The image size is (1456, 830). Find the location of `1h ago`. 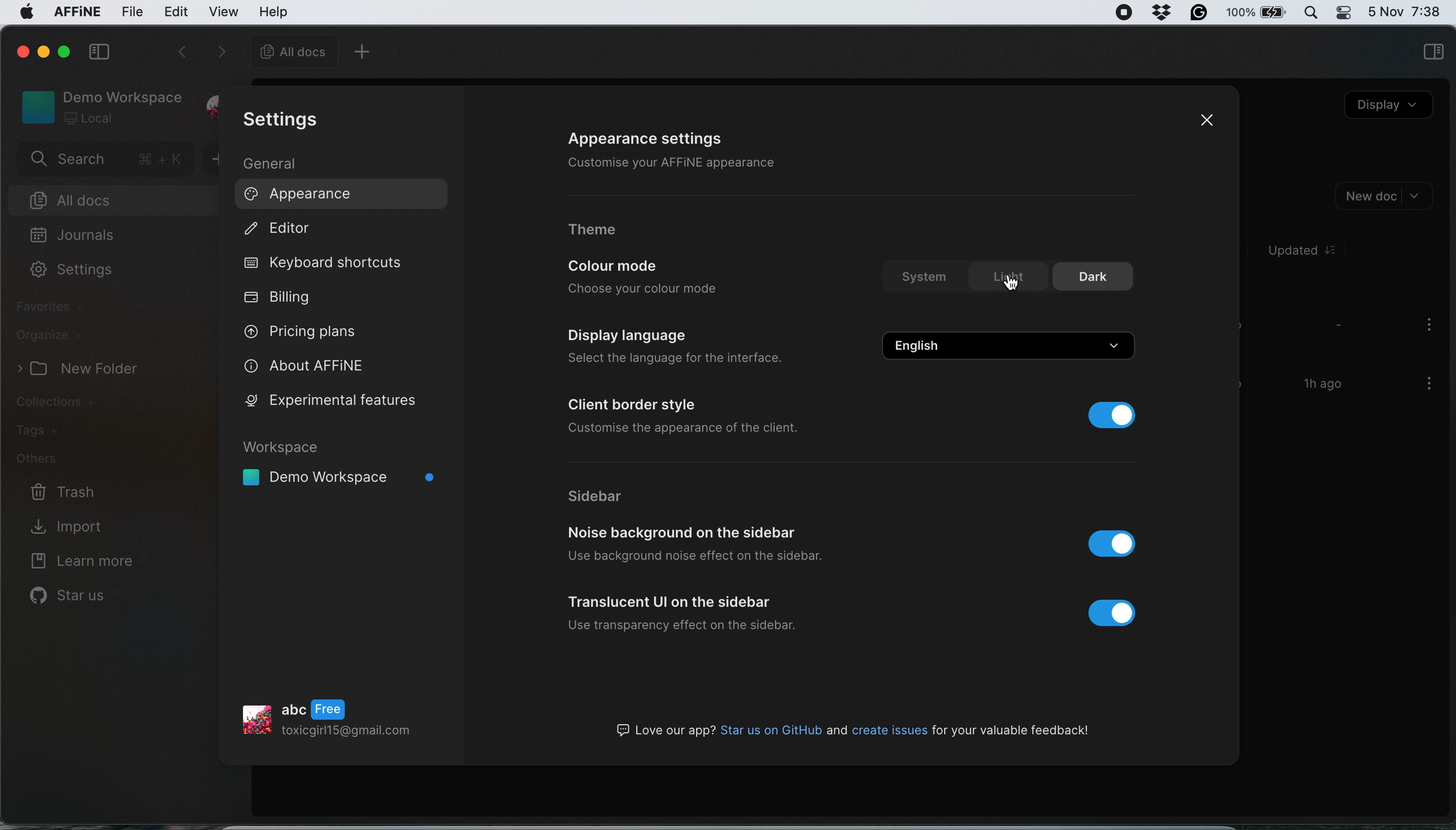

1h ago is located at coordinates (1327, 383).